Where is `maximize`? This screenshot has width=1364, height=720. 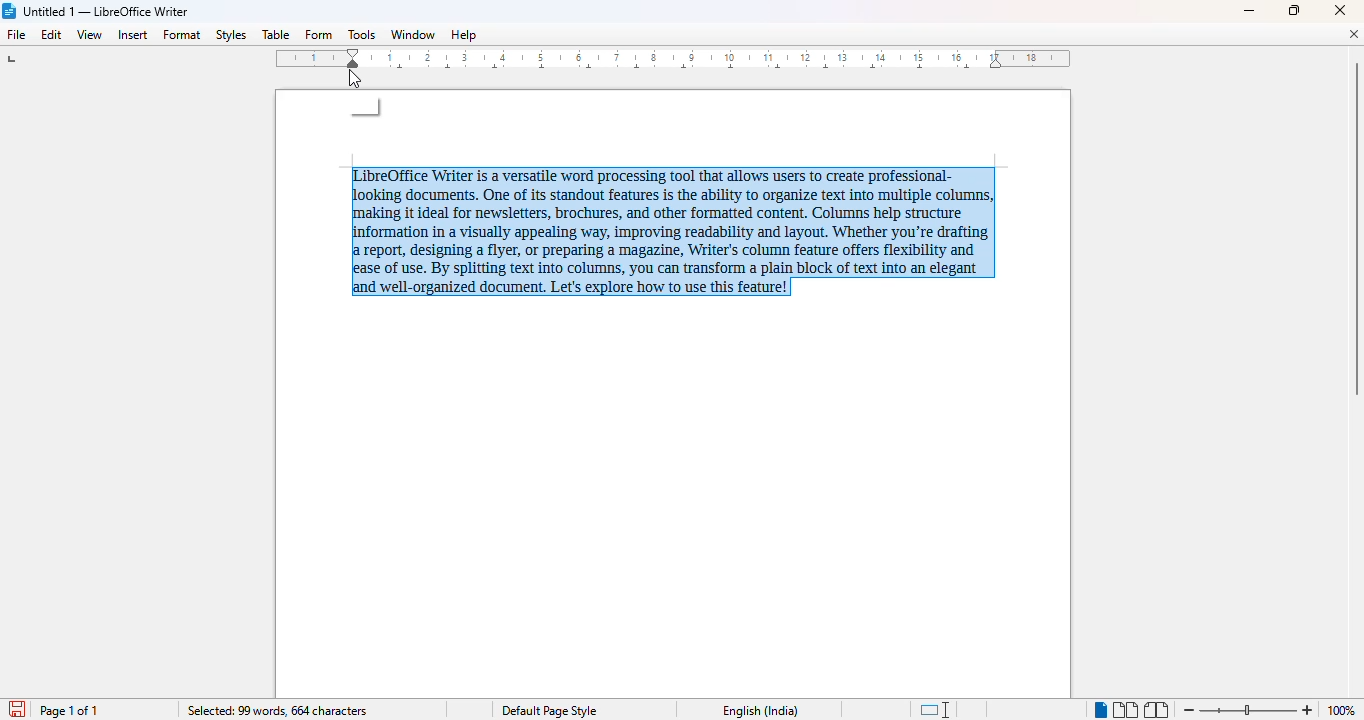 maximize is located at coordinates (1294, 10).